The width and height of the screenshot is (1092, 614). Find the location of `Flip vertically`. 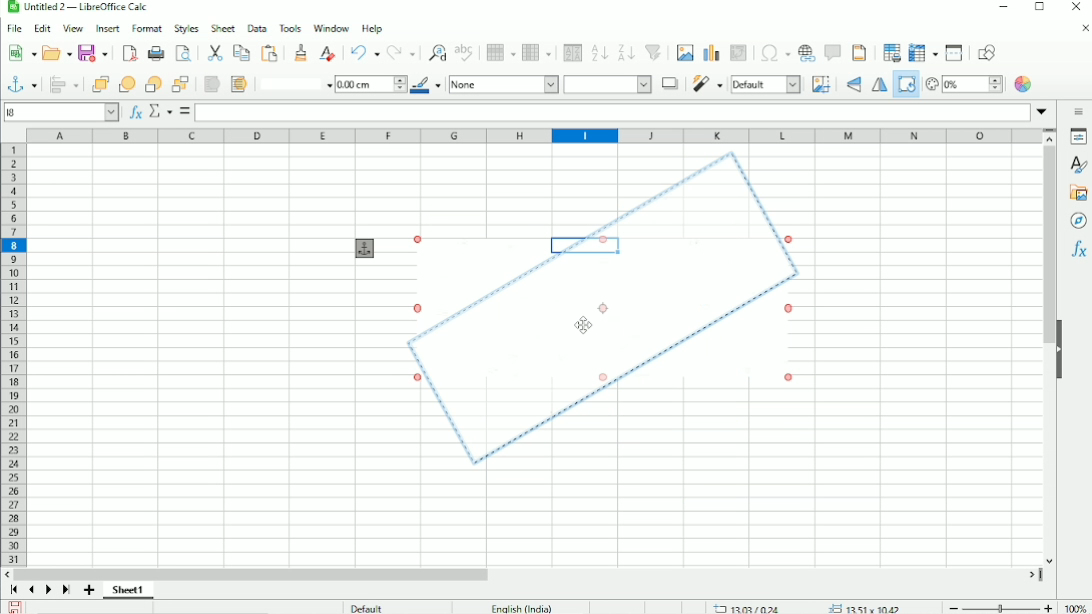

Flip vertically is located at coordinates (854, 85).